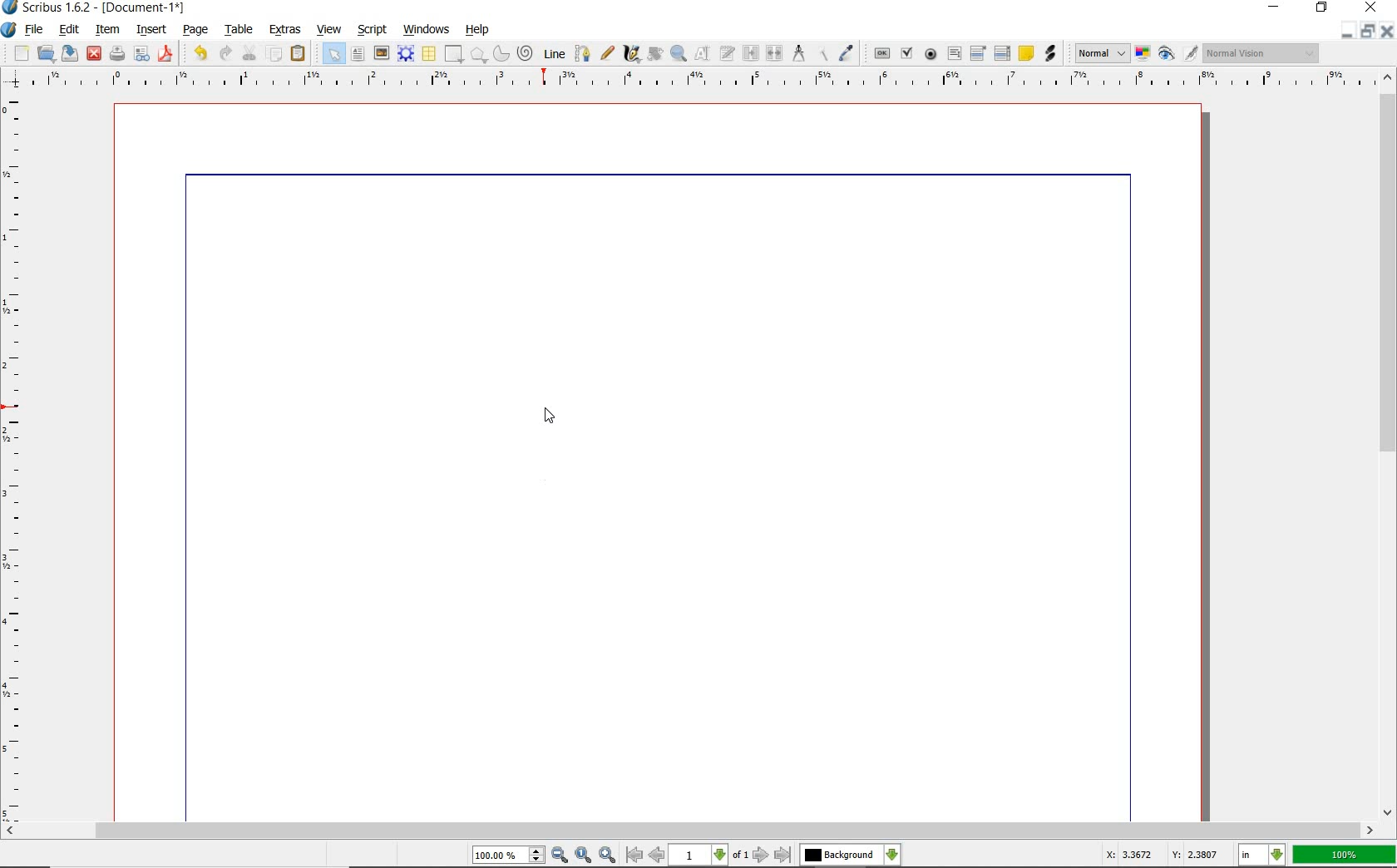 The height and width of the screenshot is (868, 1397). Describe the element at coordinates (249, 53) in the screenshot. I see `cut` at that location.